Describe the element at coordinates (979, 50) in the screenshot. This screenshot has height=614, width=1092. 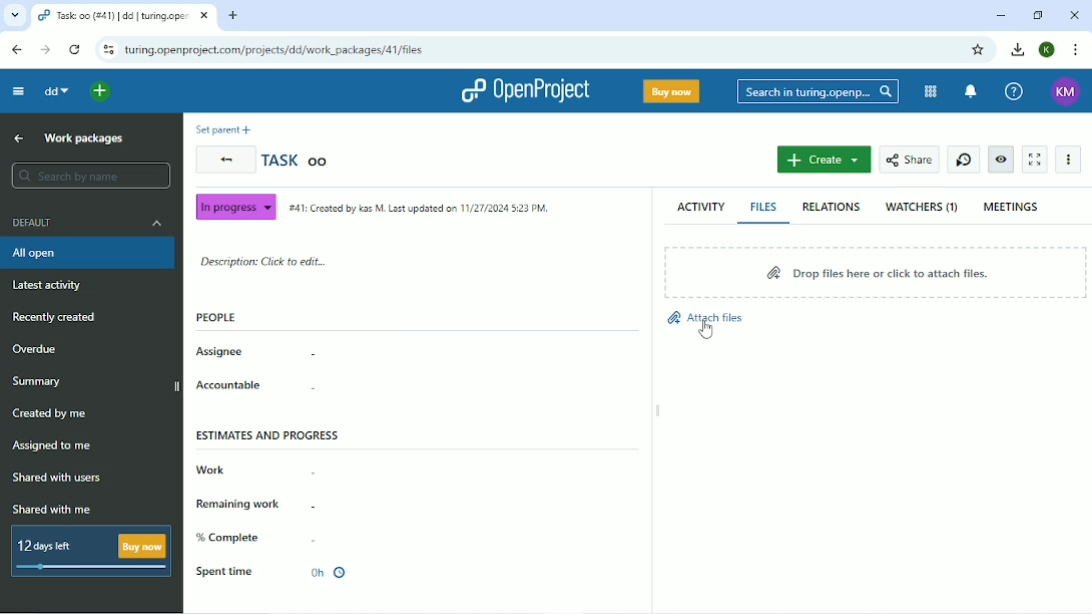
I see `Bookmark this tab` at that location.